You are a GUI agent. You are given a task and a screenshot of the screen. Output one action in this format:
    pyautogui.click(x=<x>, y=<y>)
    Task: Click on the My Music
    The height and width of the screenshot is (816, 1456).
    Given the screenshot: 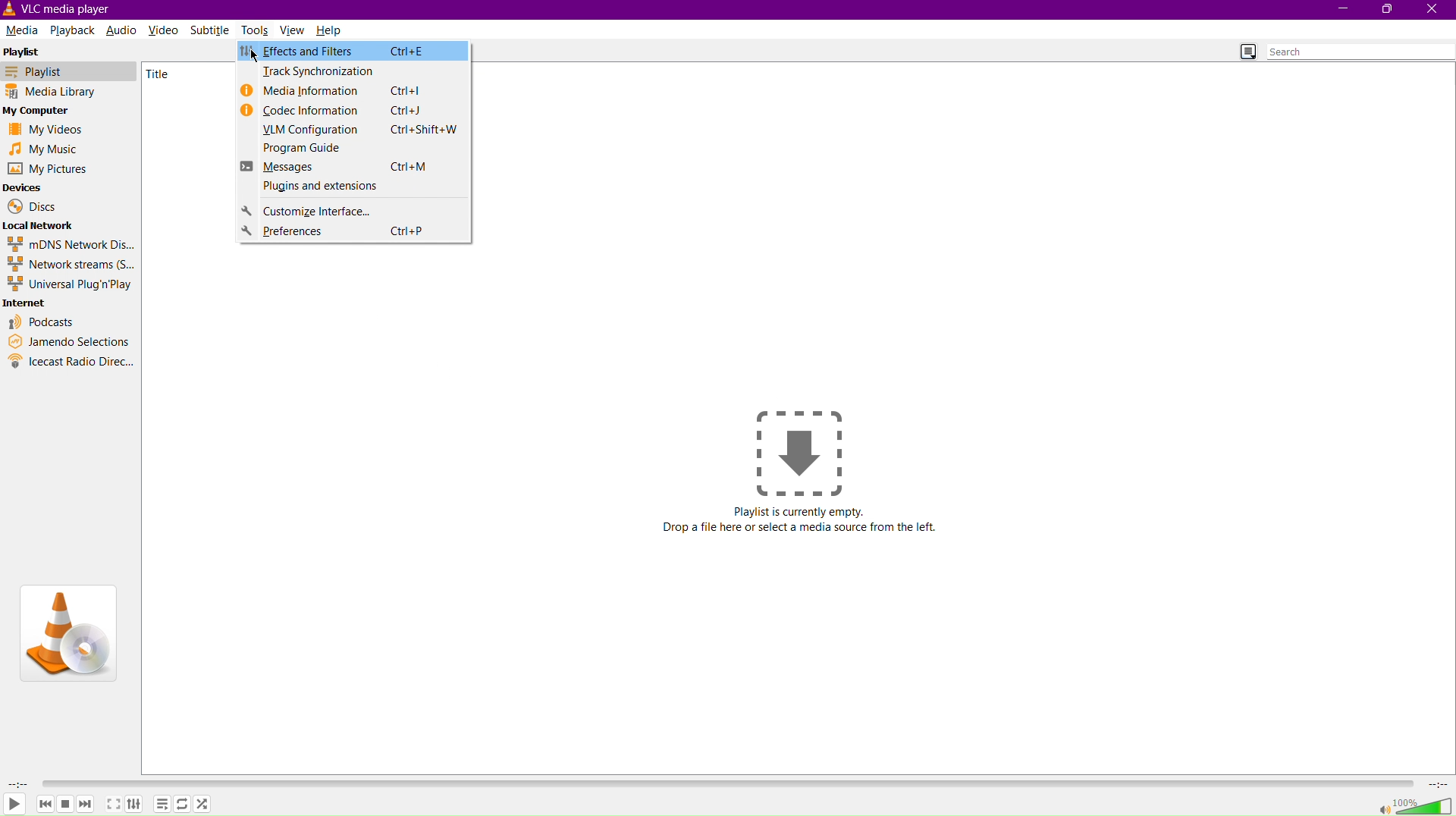 What is the action you would take?
    pyautogui.click(x=45, y=150)
    